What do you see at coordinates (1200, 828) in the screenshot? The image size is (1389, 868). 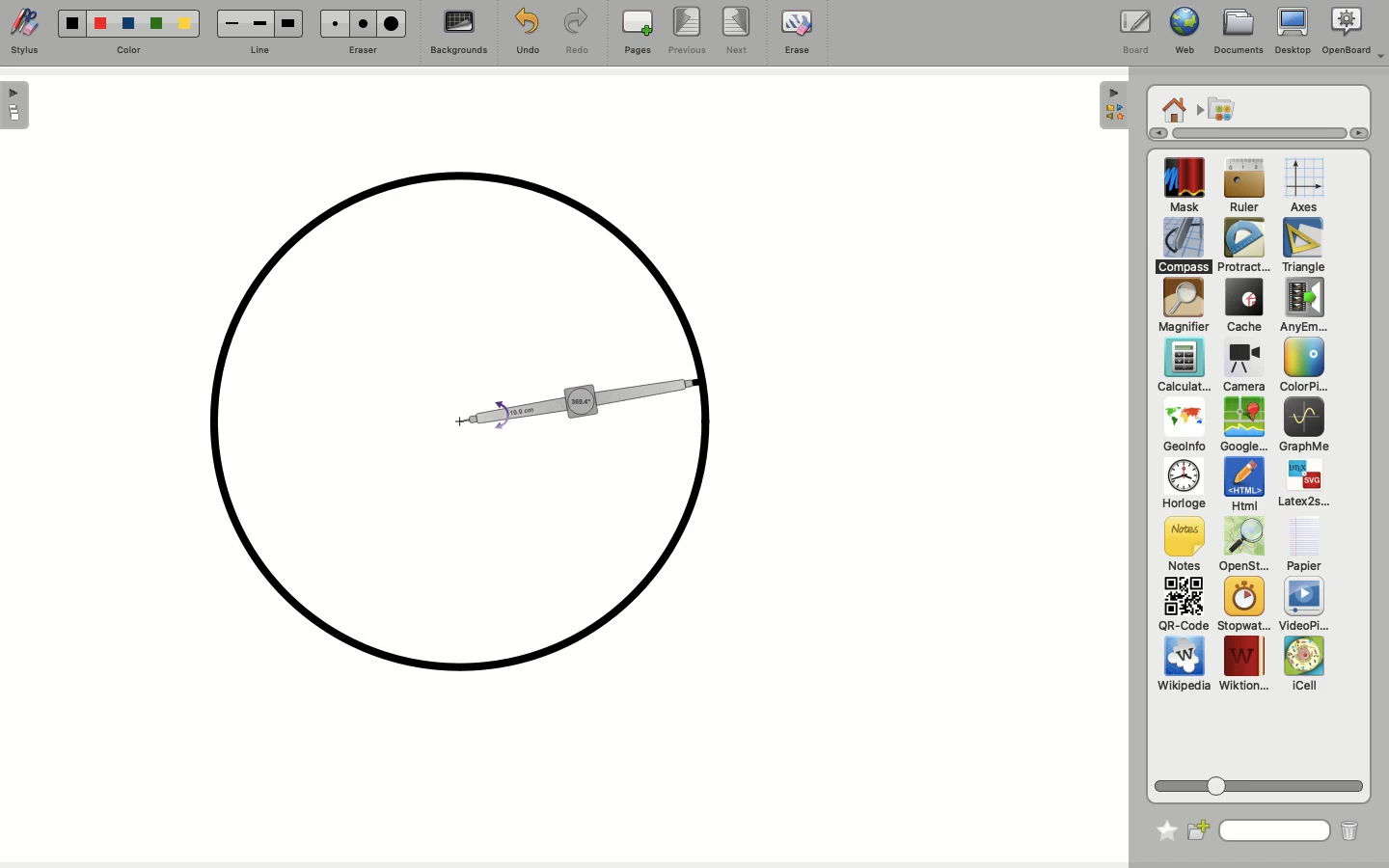 I see `New folder` at bounding box center [1200, 828].